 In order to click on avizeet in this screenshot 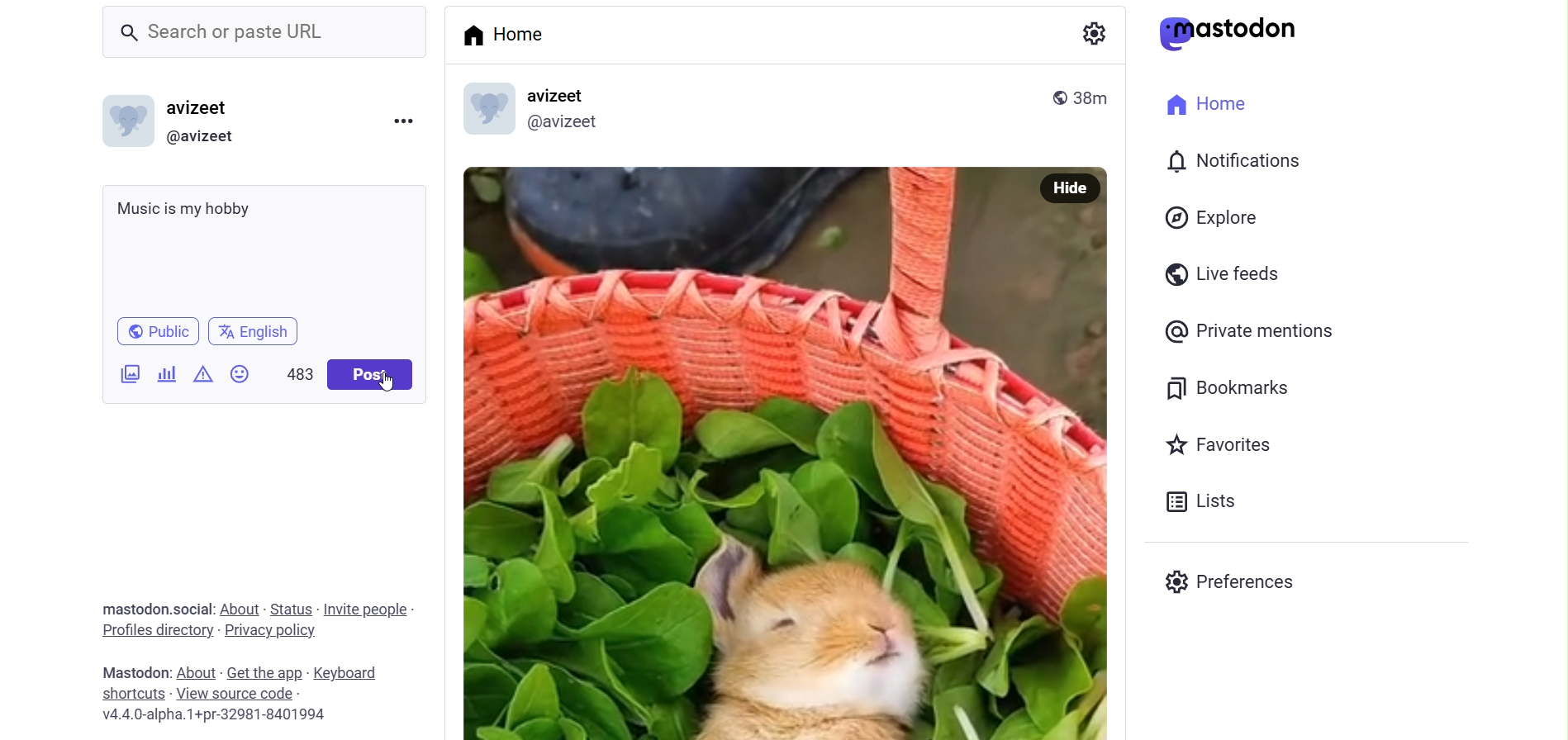, I will do `click(201, 108)`.